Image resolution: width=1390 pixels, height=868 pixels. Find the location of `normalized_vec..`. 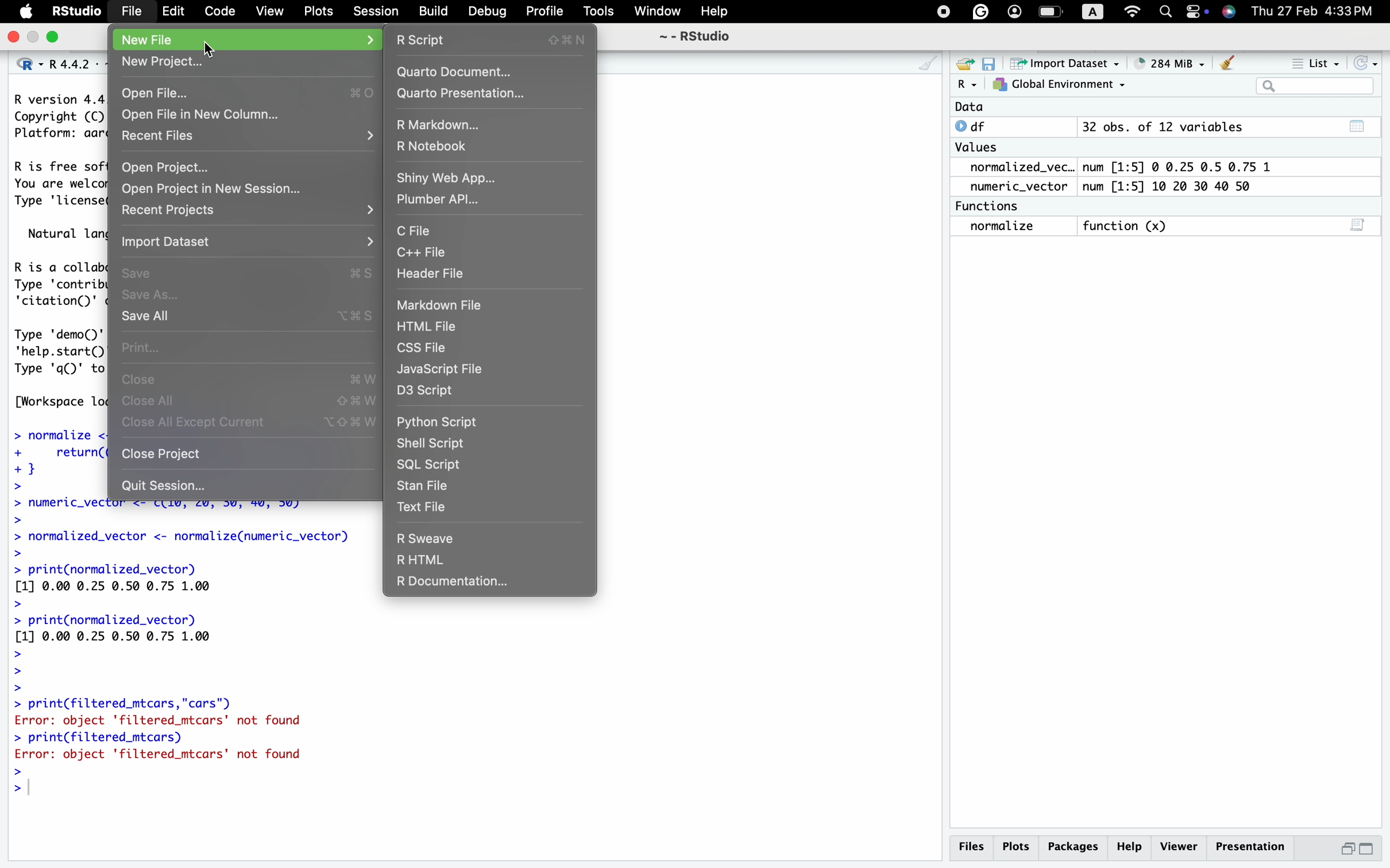

normalized_vec.. is located at coordinates (1017, 168).